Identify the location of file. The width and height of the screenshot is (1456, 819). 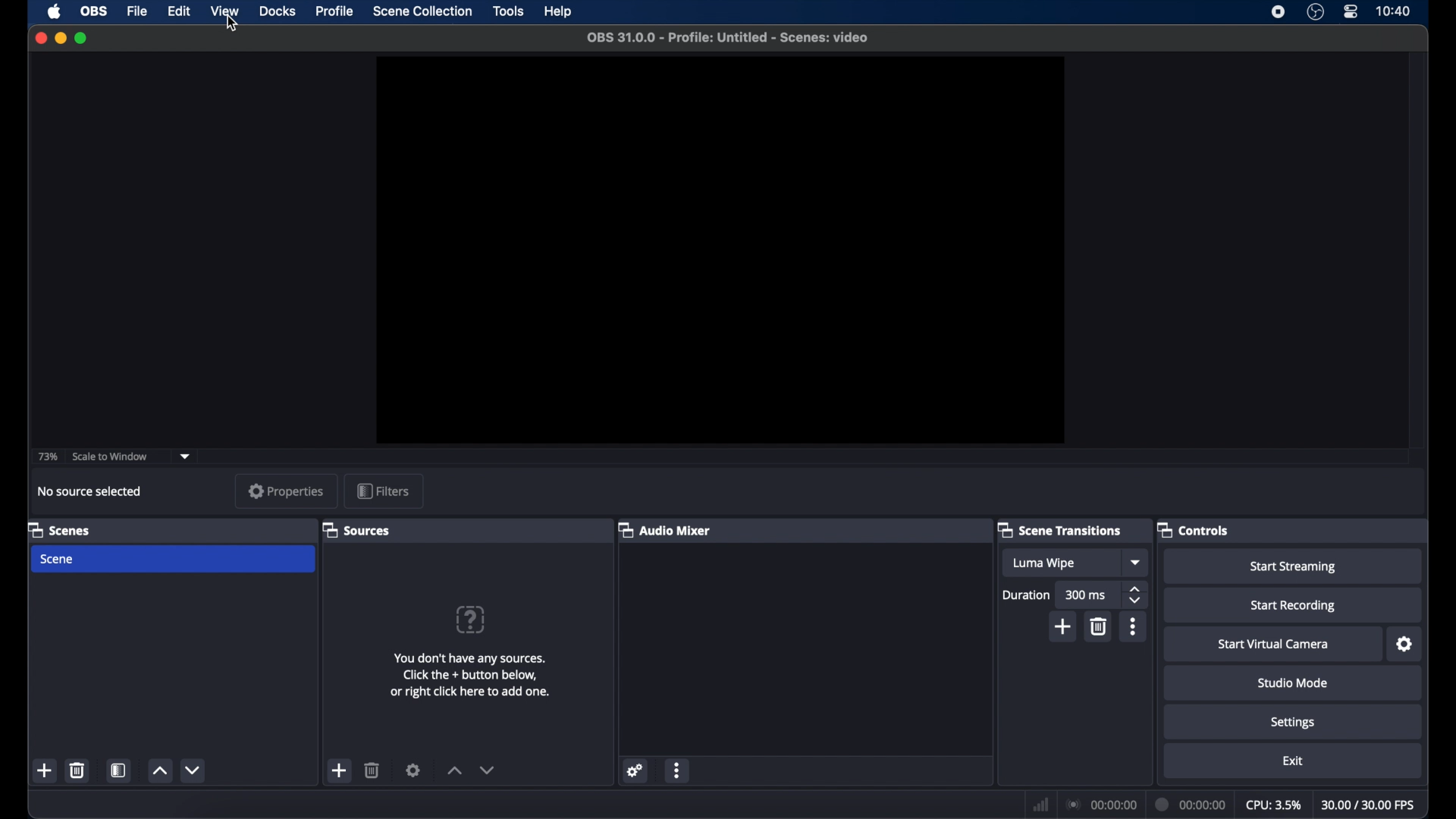
(136, 11).